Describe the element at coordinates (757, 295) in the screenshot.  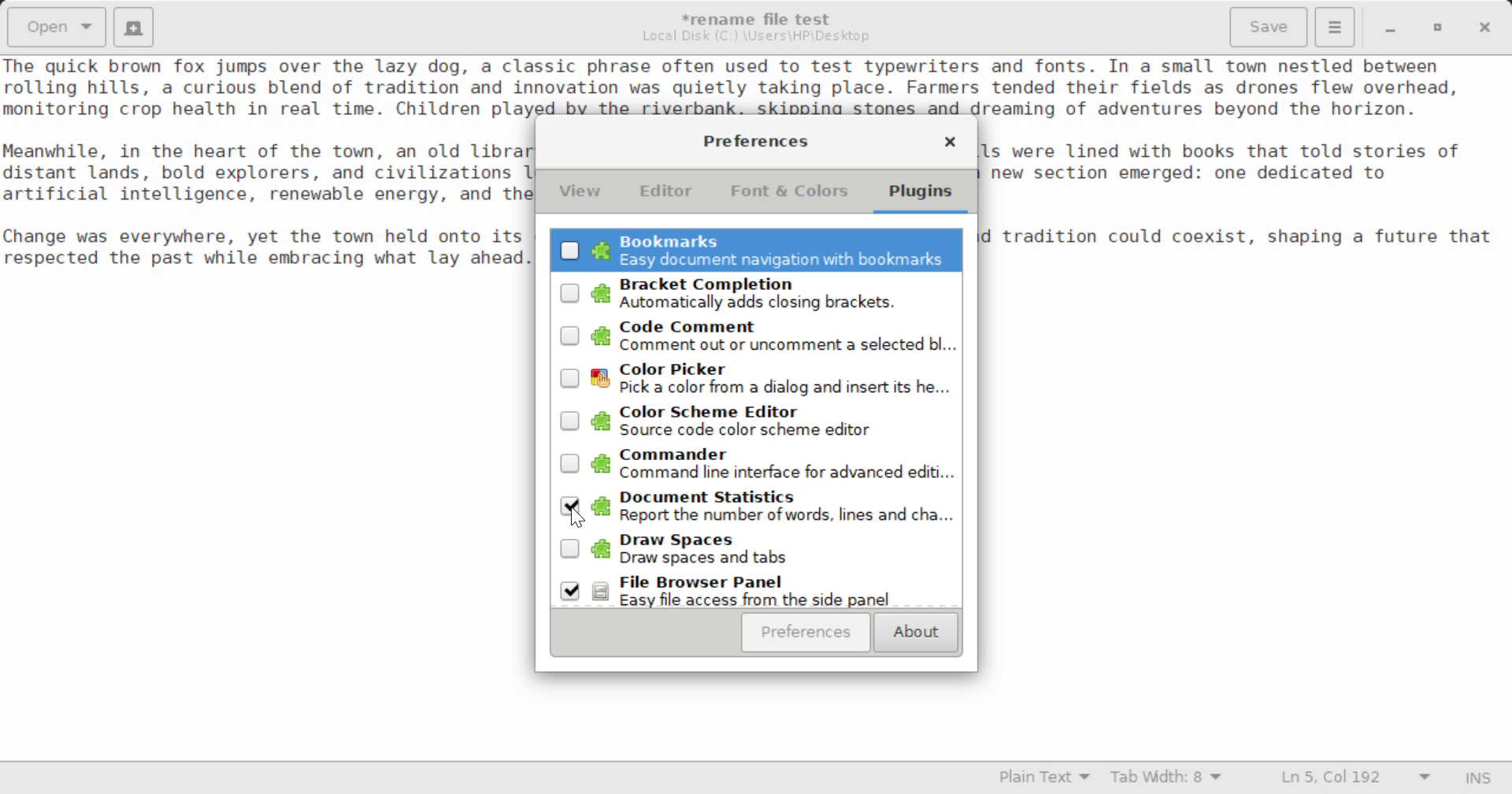
I see `Unselected Bracket Completion Plugin ` at that location.